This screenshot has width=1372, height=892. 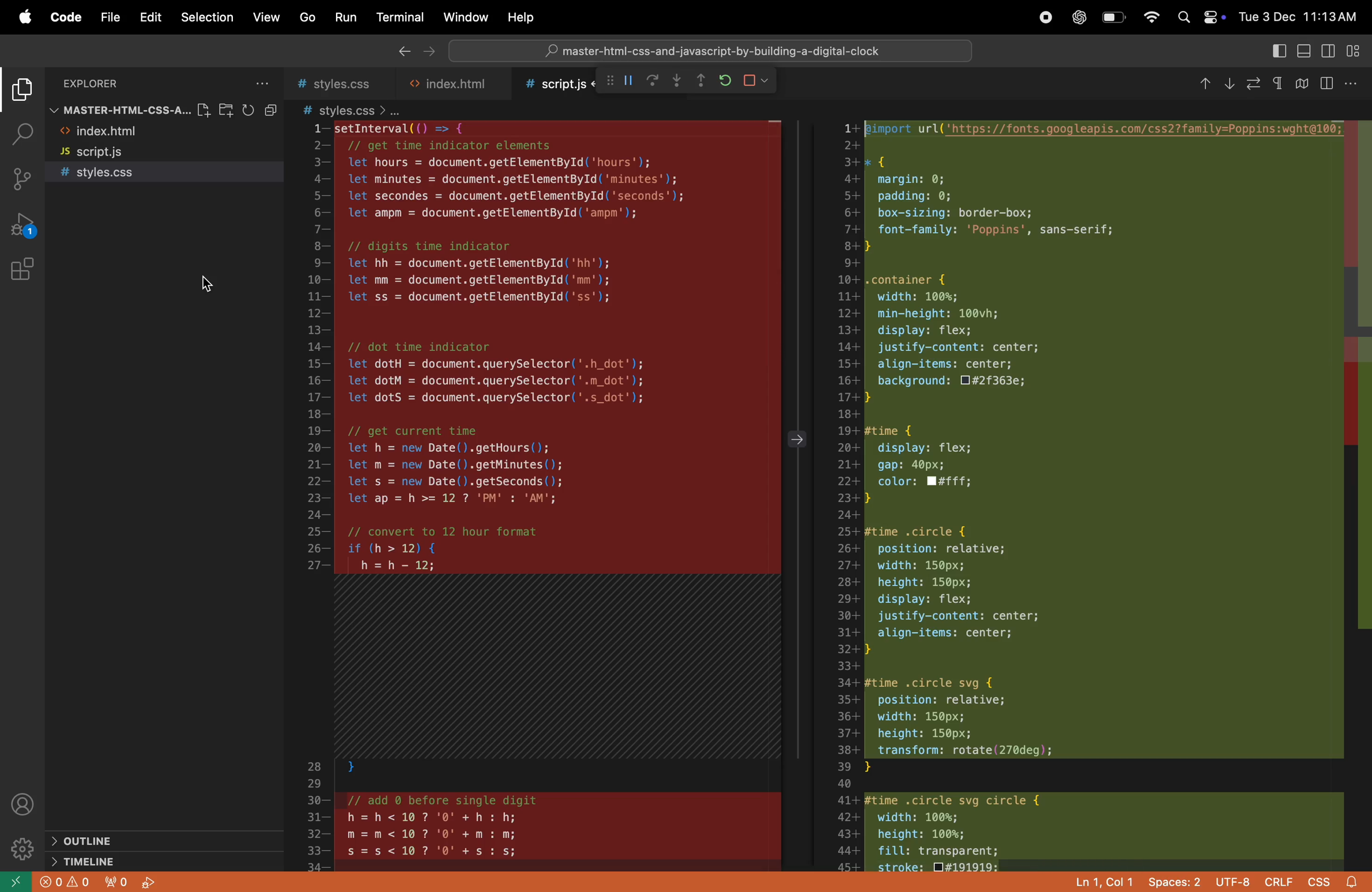 What do you see at coordinates (1232, 83) in the screenshot?
I see `Next change` at bounding box center [1232, 83].